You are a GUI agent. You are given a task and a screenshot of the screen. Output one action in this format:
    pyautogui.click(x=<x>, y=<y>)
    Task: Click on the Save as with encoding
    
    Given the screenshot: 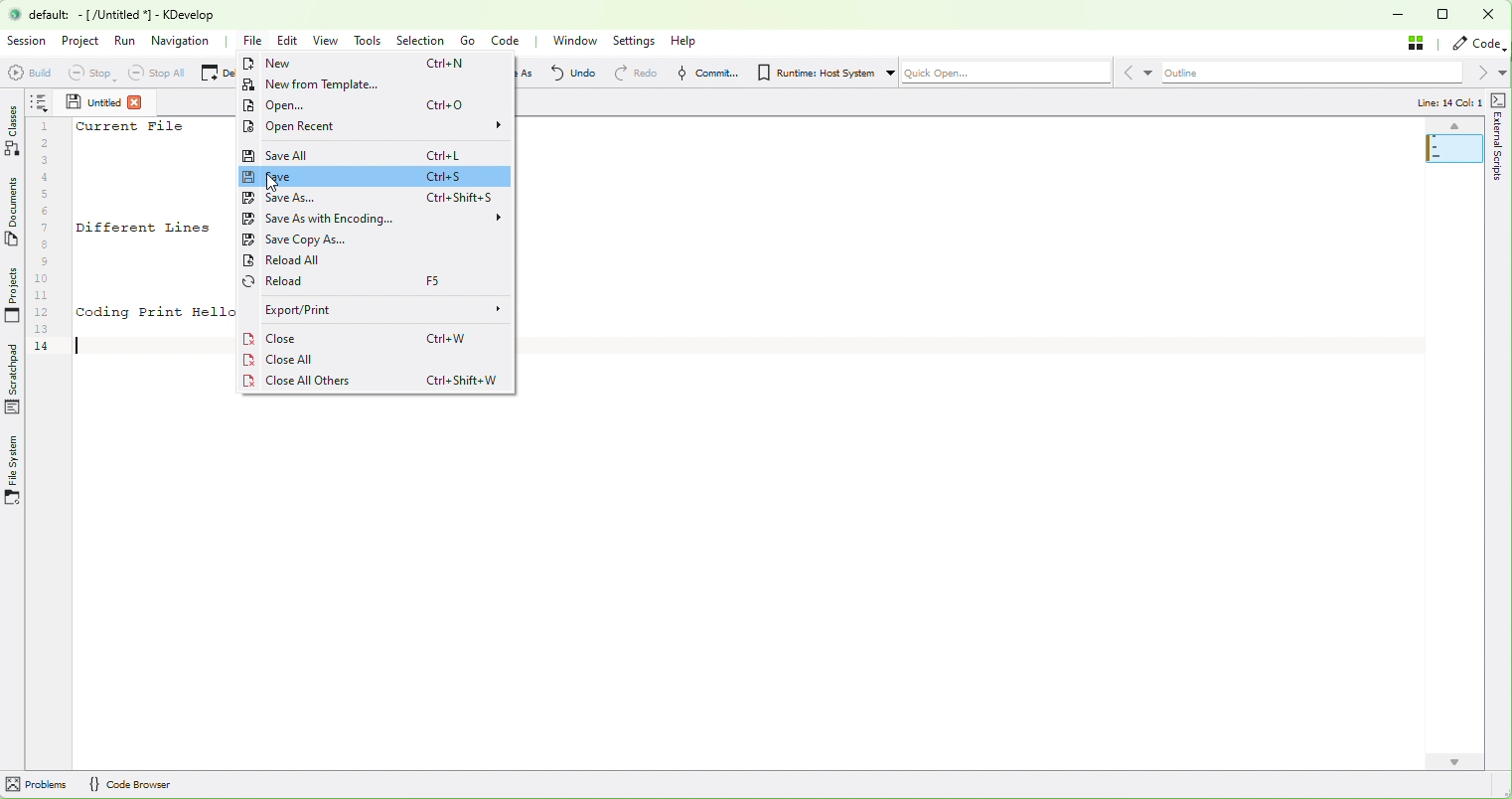 What is the action you would take?
    pyautogui.click(x=380, y=220)
    